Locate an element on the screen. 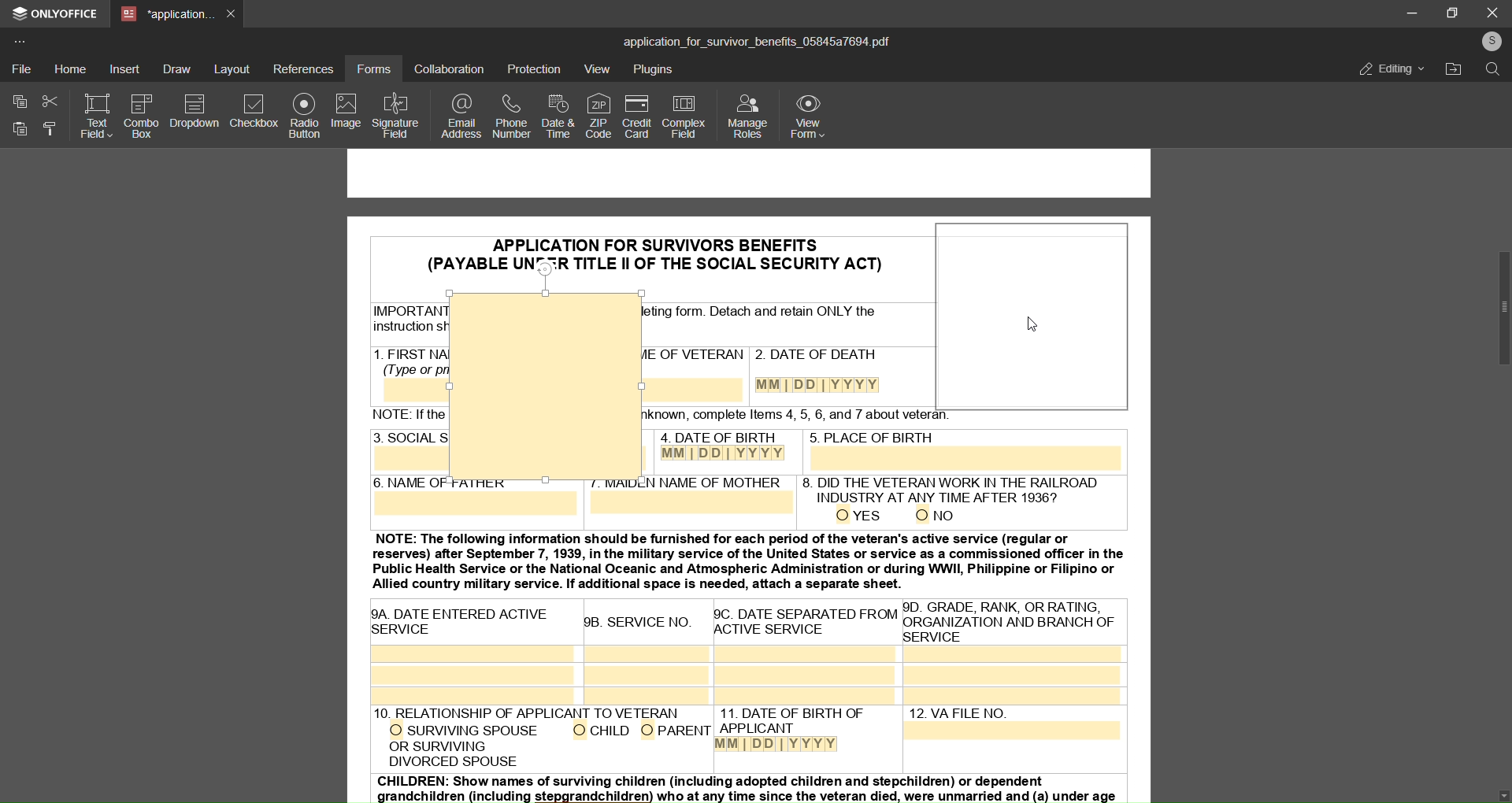 This screenshot has height=803, width=1512. check box is located at coordinates (254, 113).